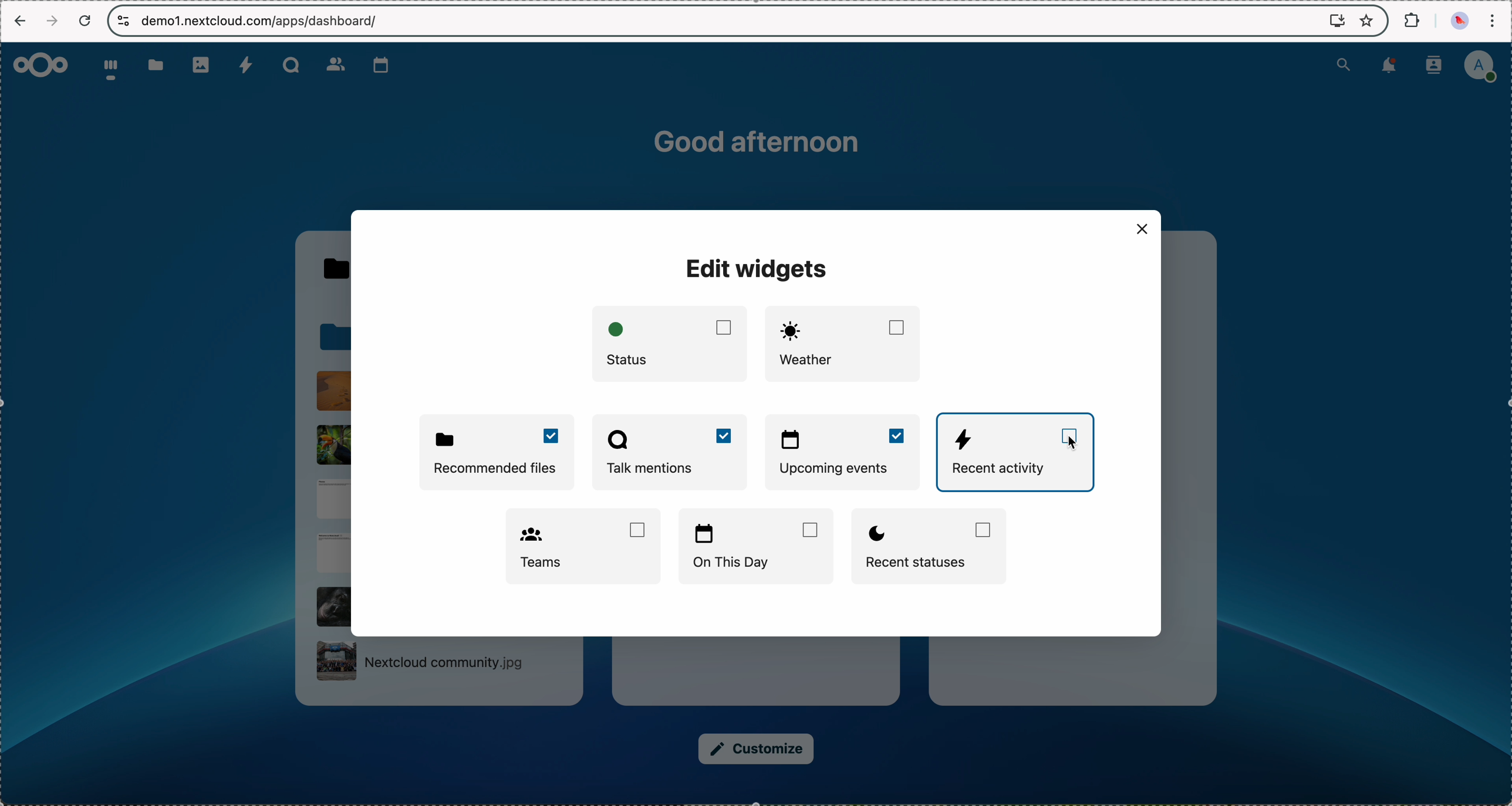 The height and width of the screenshot is (806, 1512). What do you see at coordinates (757, 750) in the screenshot?
I see `customize` at bounding box center [757, 750].